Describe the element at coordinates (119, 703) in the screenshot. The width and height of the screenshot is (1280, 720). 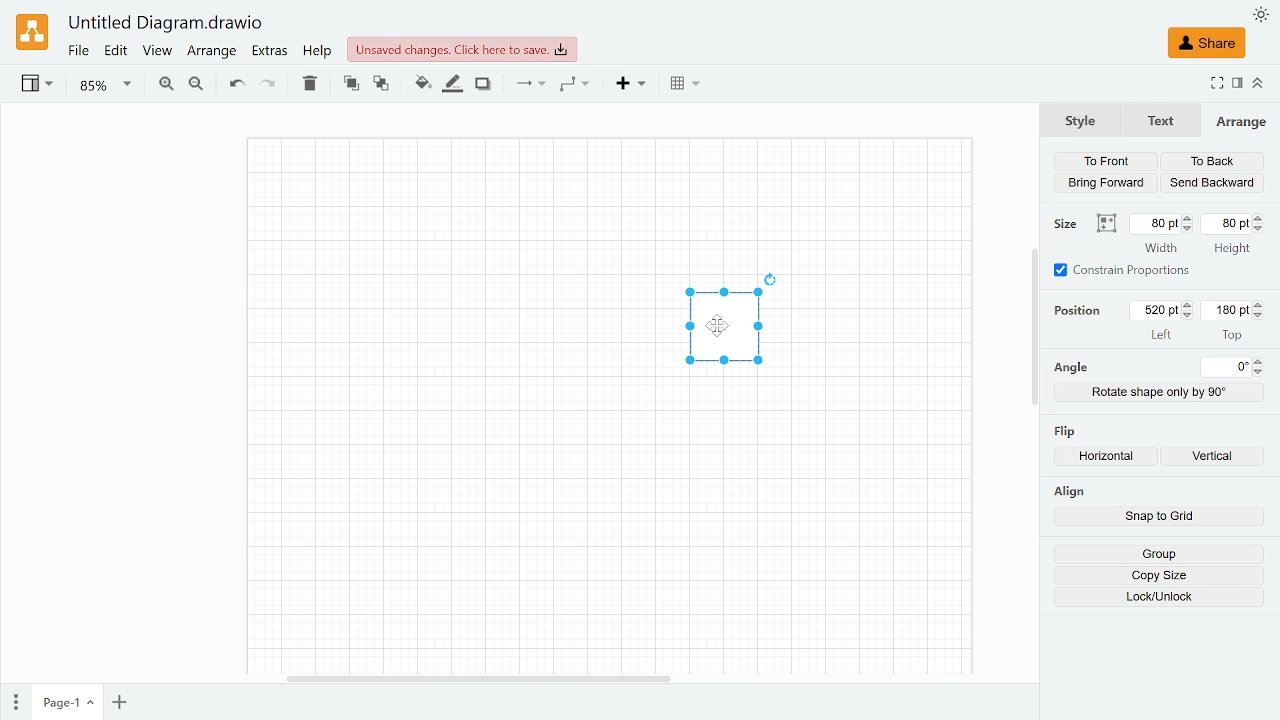
I see `Add page` at that location.